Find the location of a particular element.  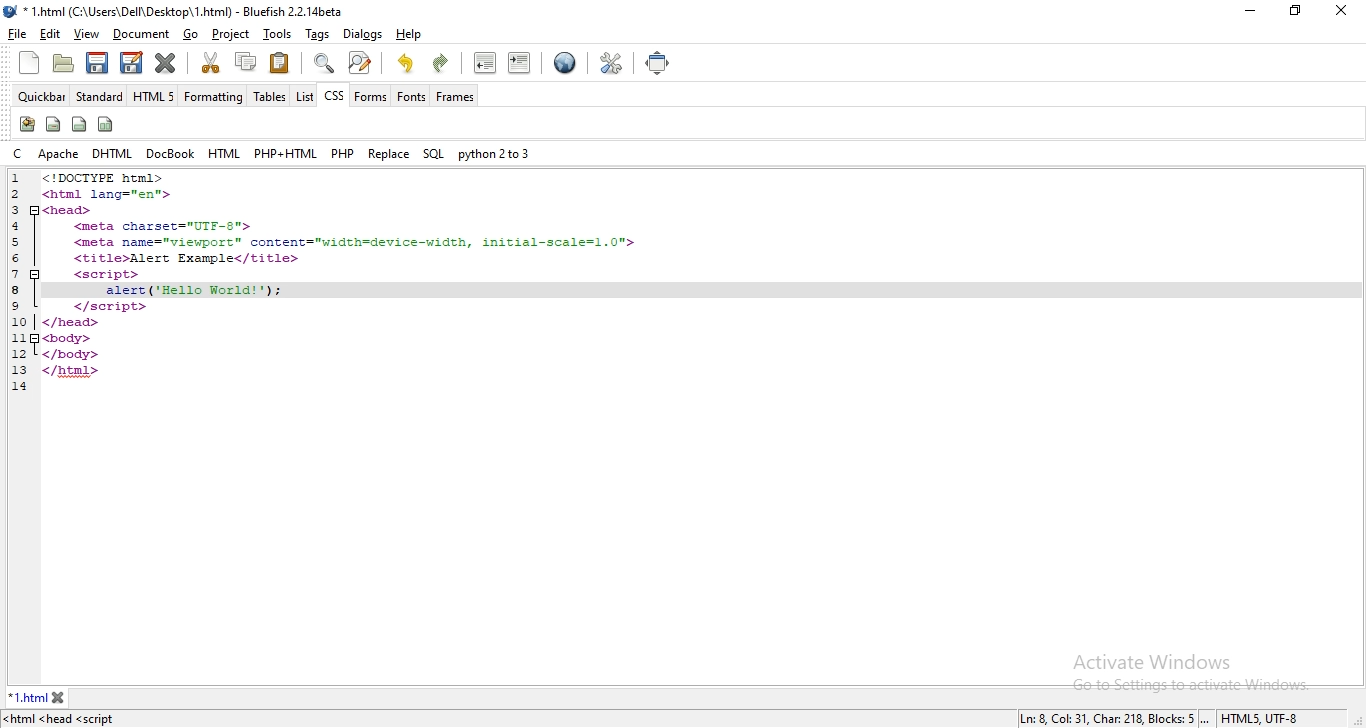

go is located at coordinates (191, 35).